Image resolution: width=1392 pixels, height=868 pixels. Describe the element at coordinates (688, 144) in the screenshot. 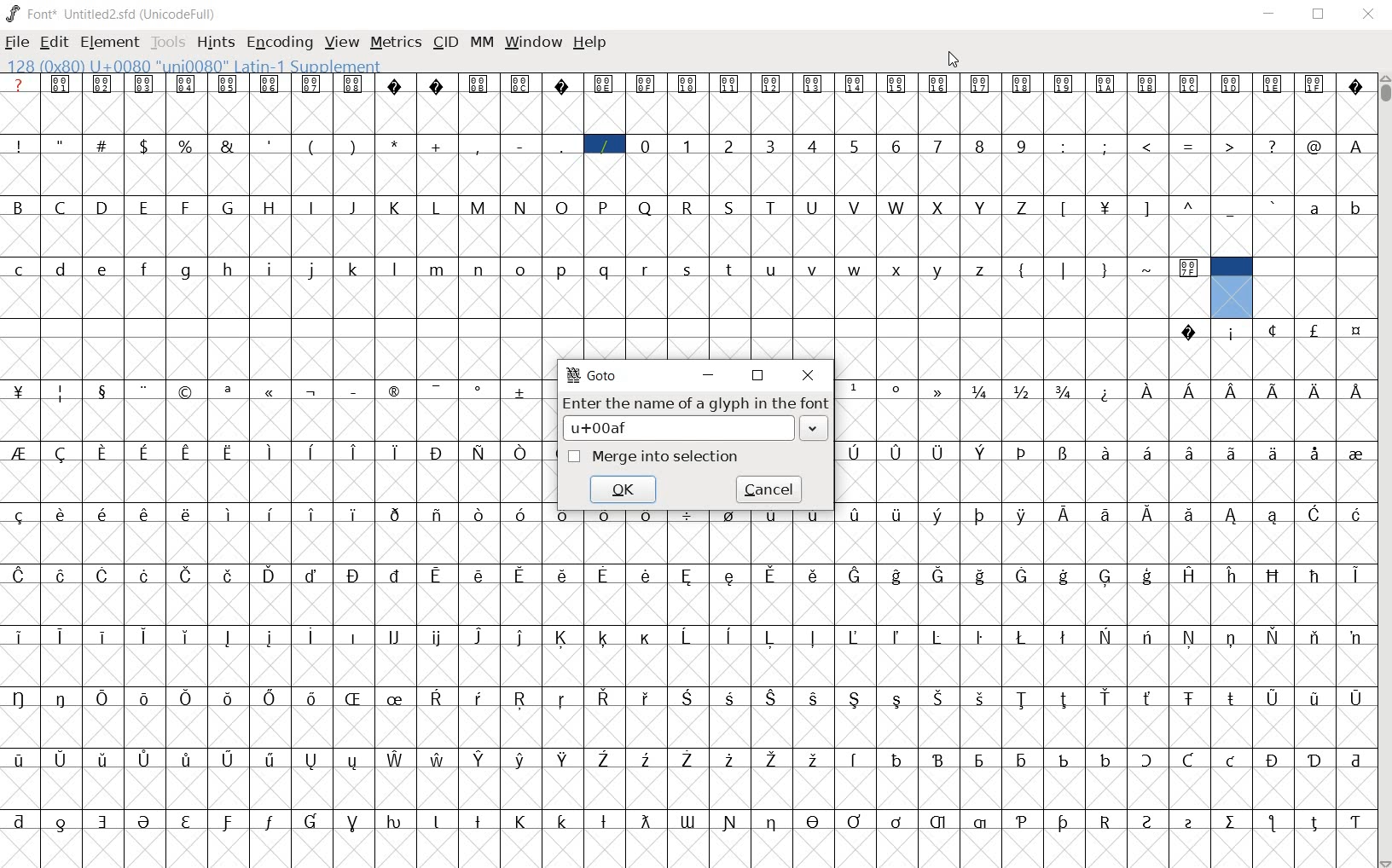

I see `1` at that location.